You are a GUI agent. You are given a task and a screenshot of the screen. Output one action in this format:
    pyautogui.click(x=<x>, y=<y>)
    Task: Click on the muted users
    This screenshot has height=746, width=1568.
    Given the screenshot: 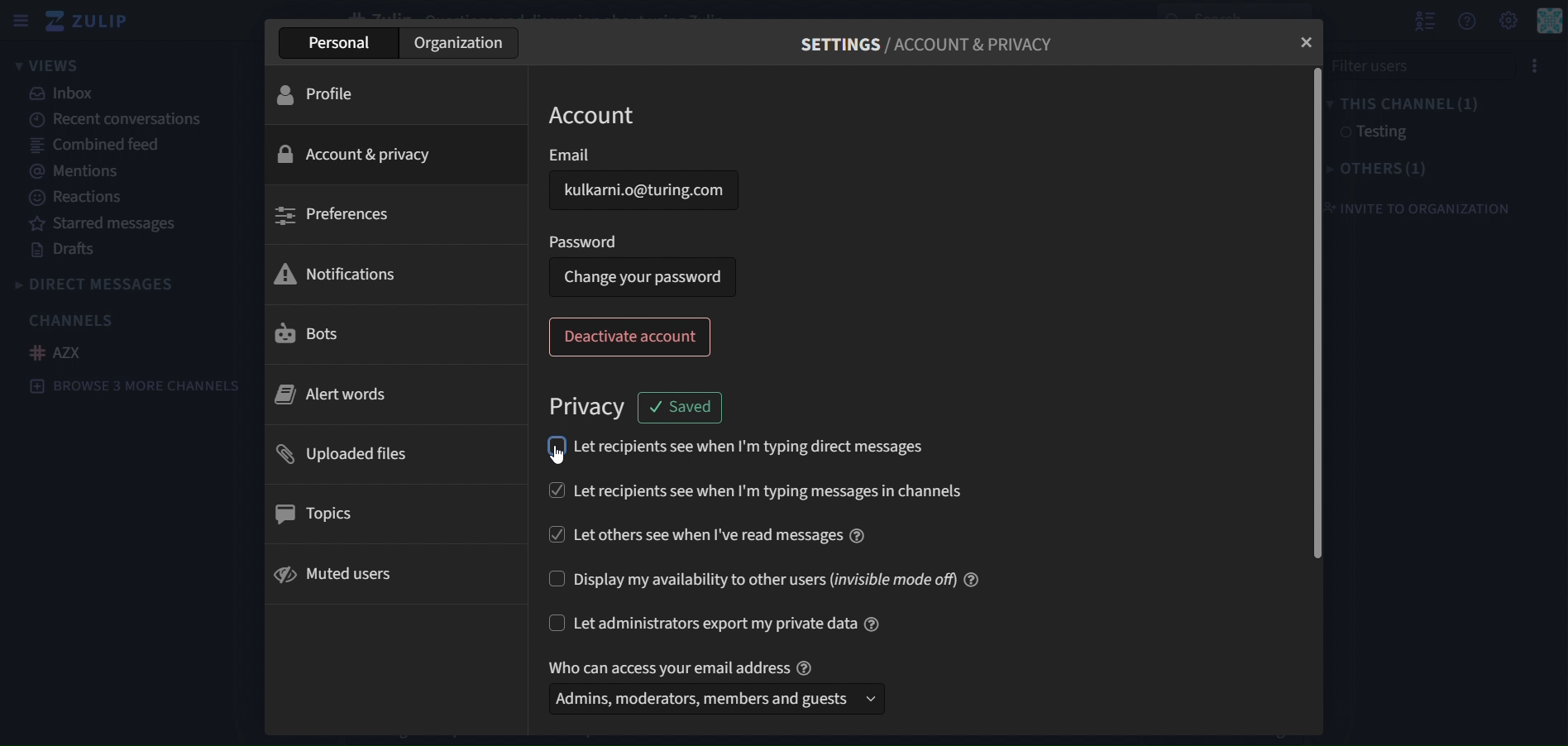 What is the action you would take?
    pyautogui.click(x=341, y=572)
    